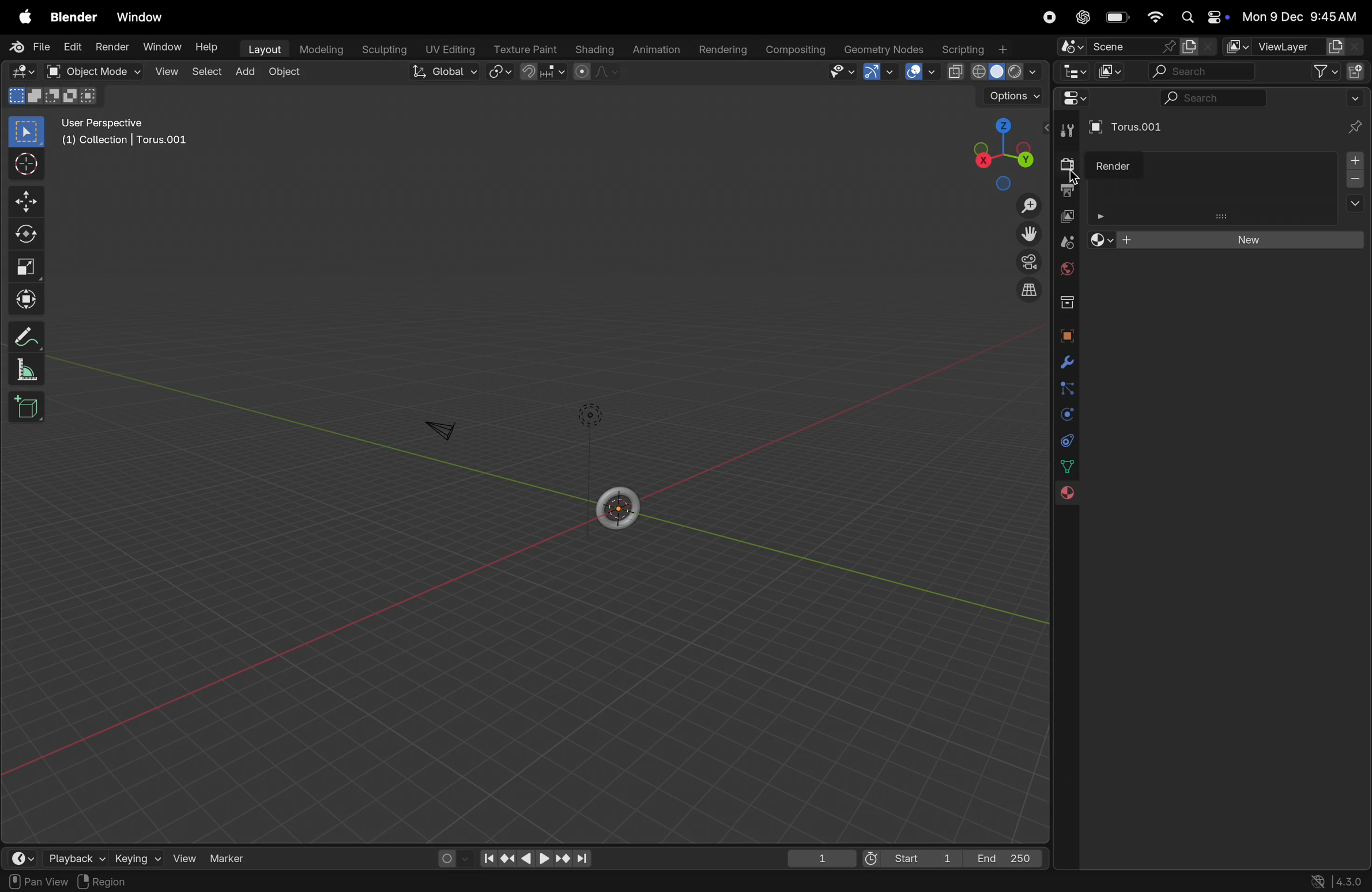 Image resolution: width=1372 pixels, height=892 pixels. I want to click on physics, so click(1064, 415).